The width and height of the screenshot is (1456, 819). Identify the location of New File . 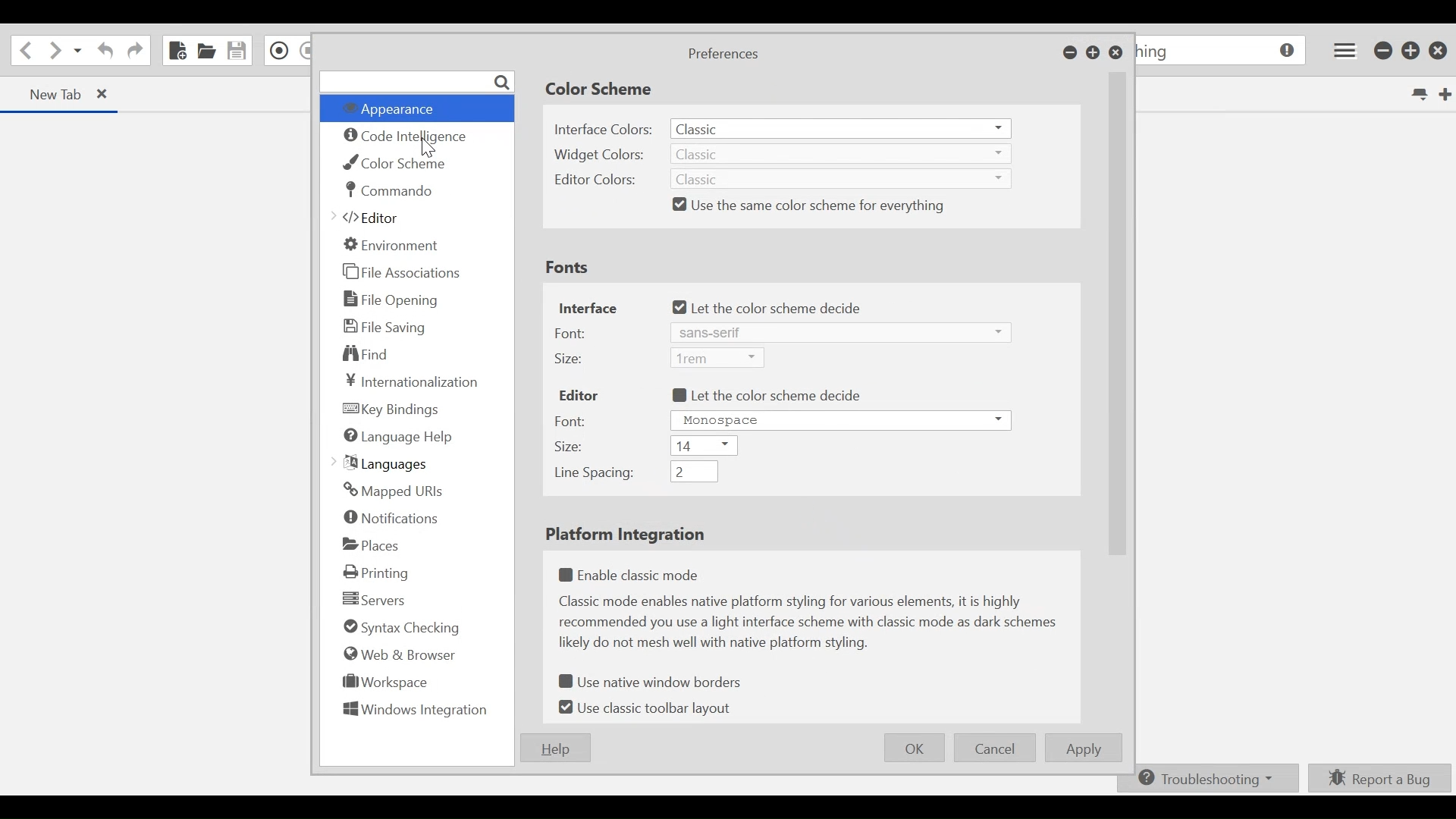
(176, 50).